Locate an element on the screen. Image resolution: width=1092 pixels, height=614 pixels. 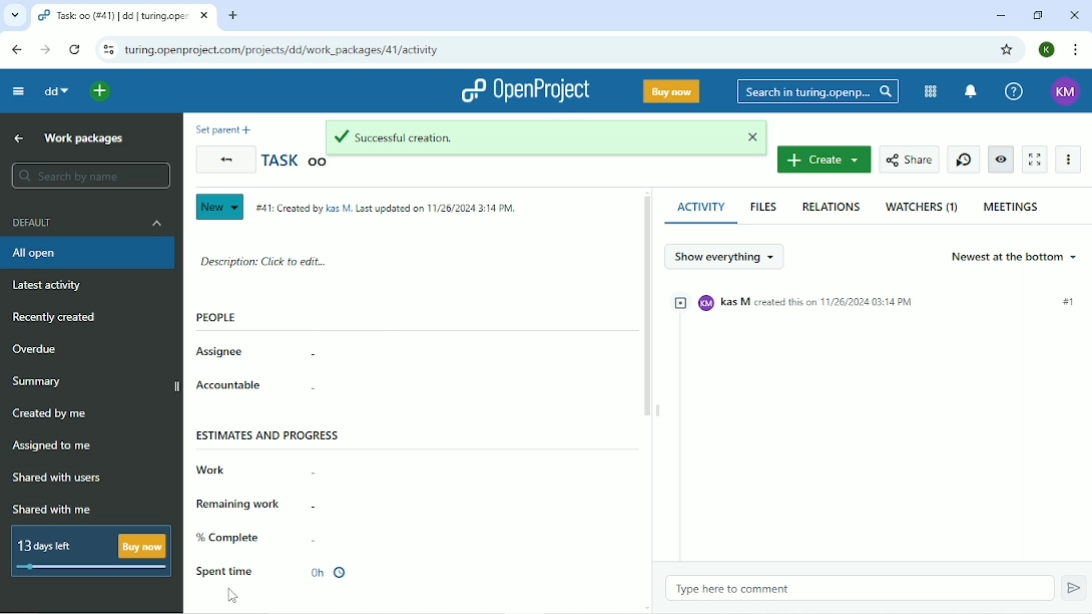
Type here to comment is located at coordinates (859, 588).